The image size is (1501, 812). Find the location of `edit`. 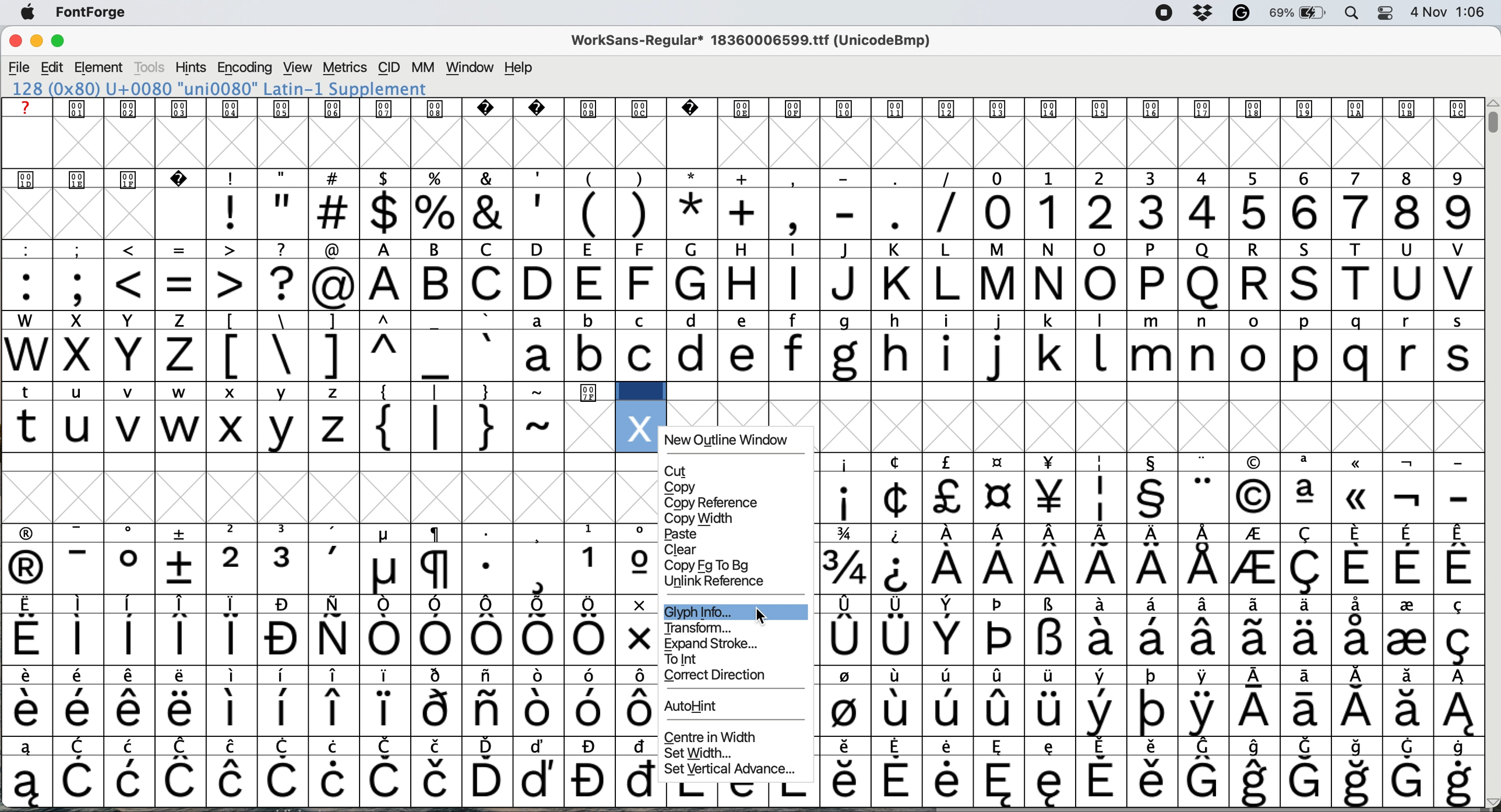

edit is located at coordinates (54, 67).